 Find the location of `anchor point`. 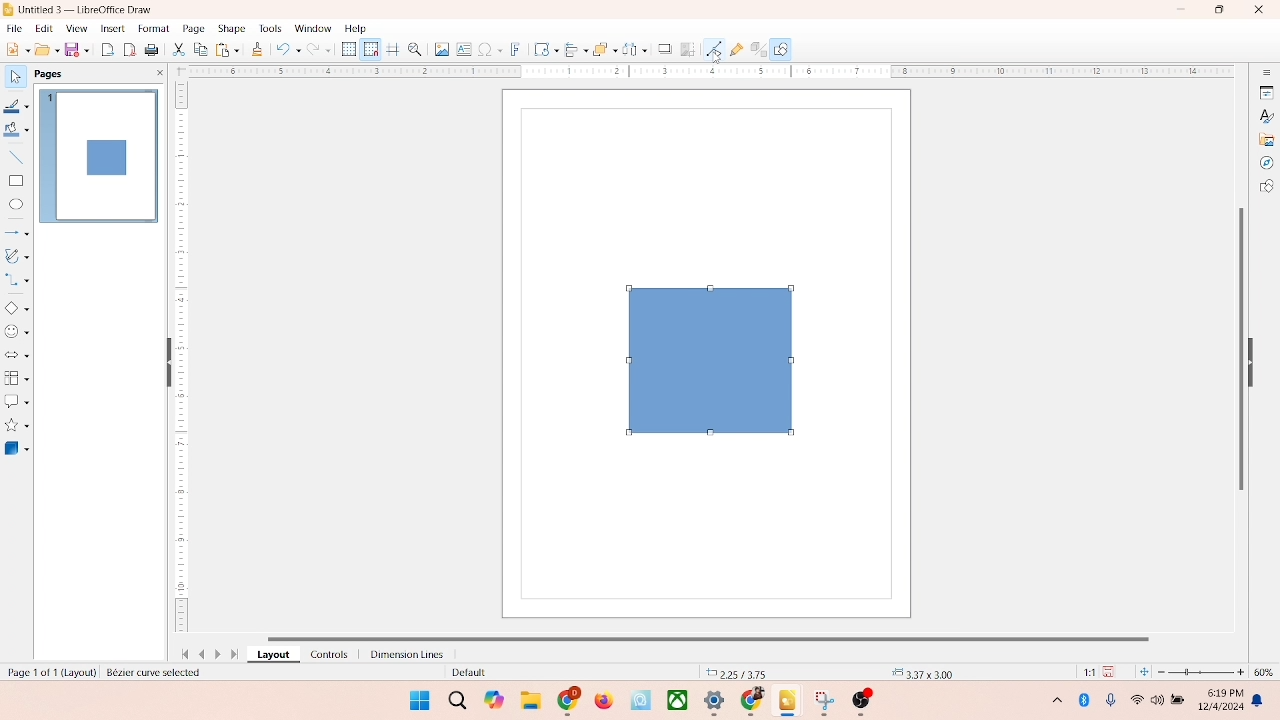

anchor point is located at coordinates (920, 671).